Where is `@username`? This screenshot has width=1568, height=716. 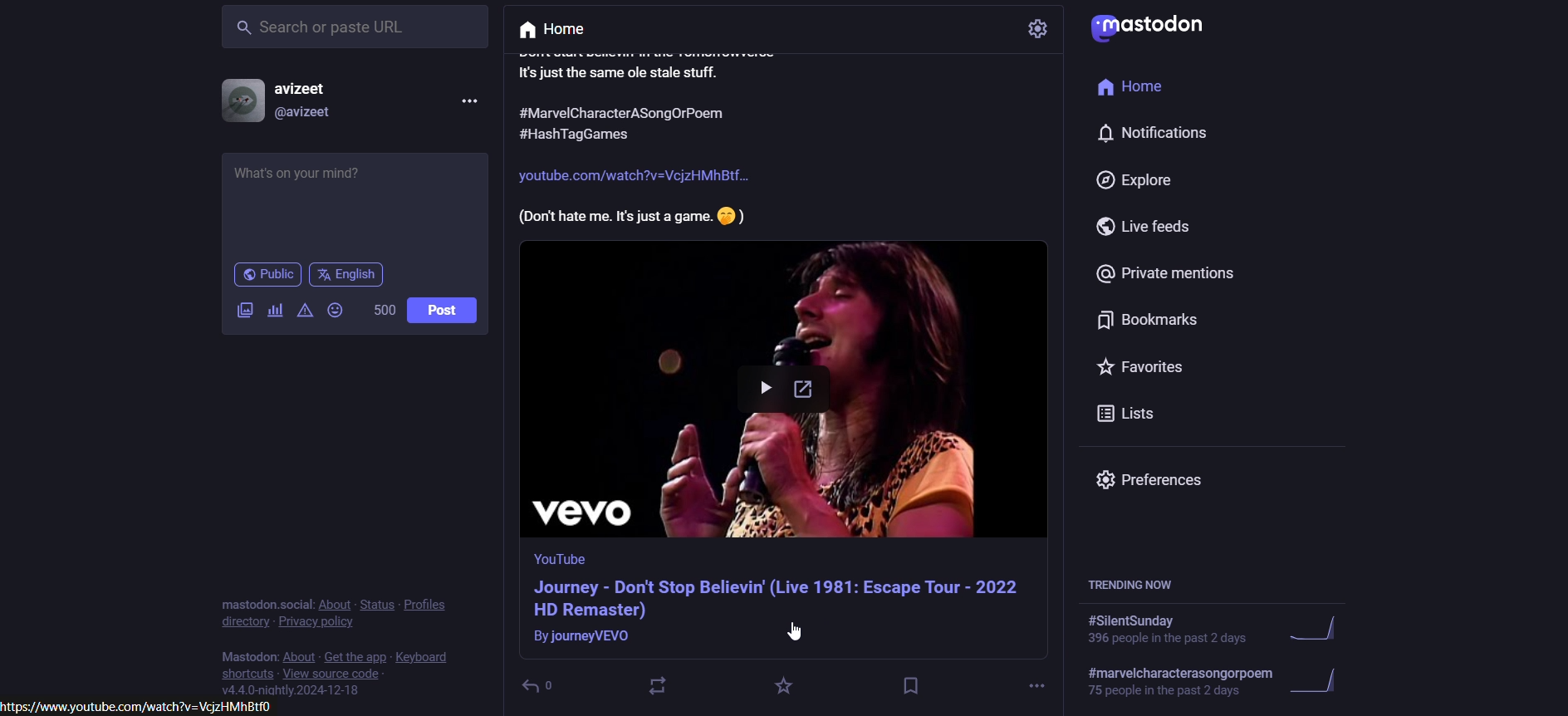
@username is located at coordinates (304, 116).